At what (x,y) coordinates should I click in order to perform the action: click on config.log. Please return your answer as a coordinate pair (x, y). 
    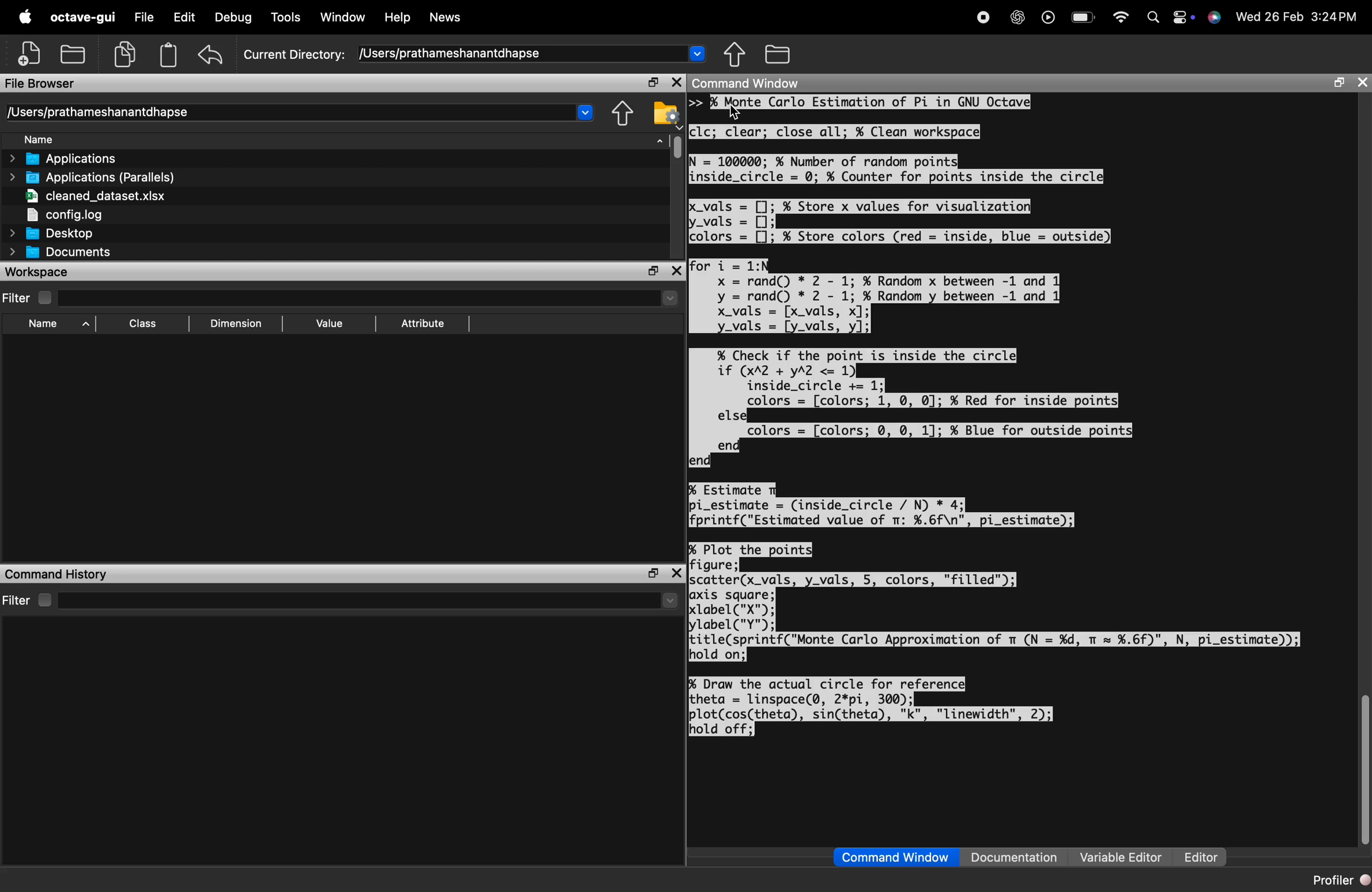
    Looking at the image, I should click on (92, 213).